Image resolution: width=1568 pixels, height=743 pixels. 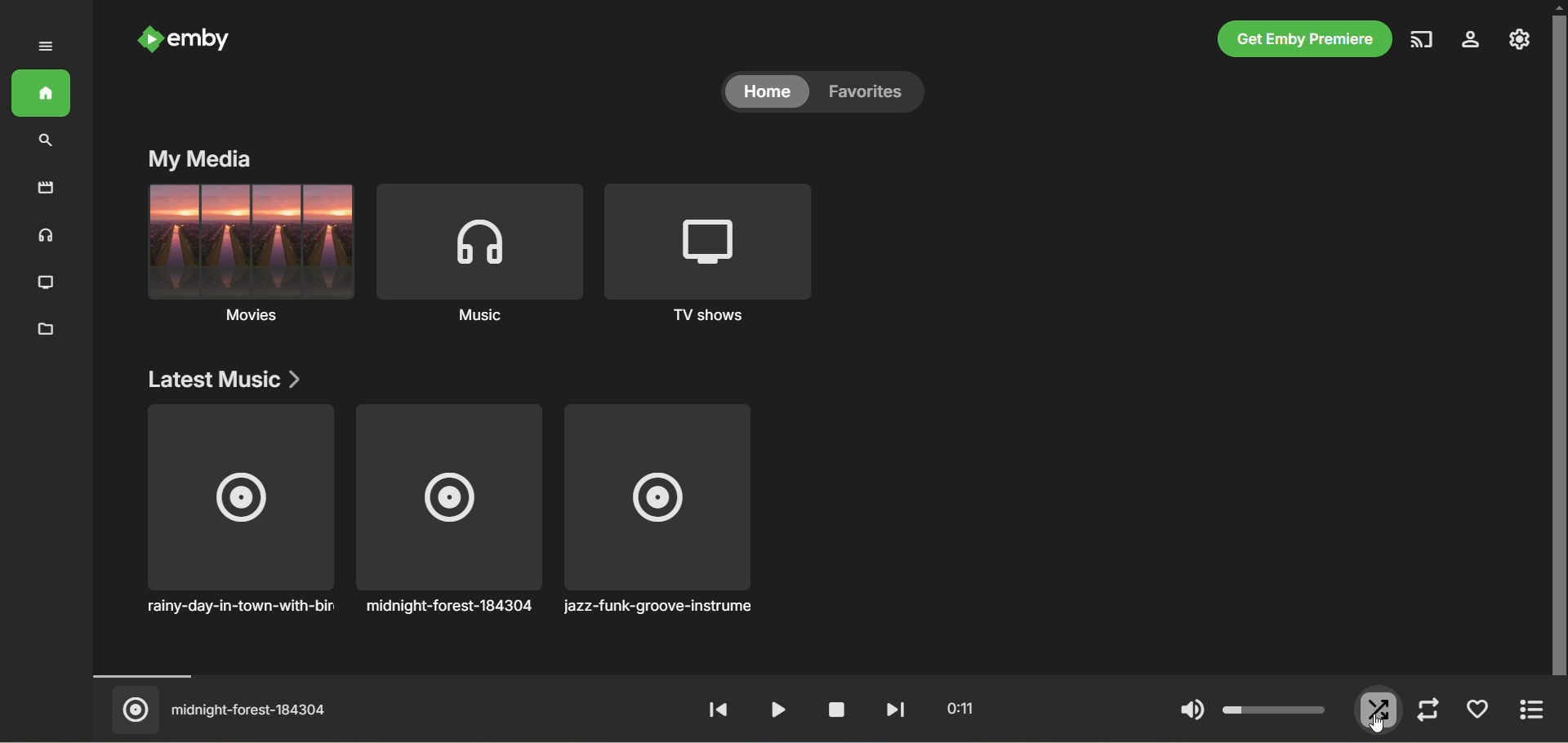 I want to click on rewind, so click(x=717, y=711).